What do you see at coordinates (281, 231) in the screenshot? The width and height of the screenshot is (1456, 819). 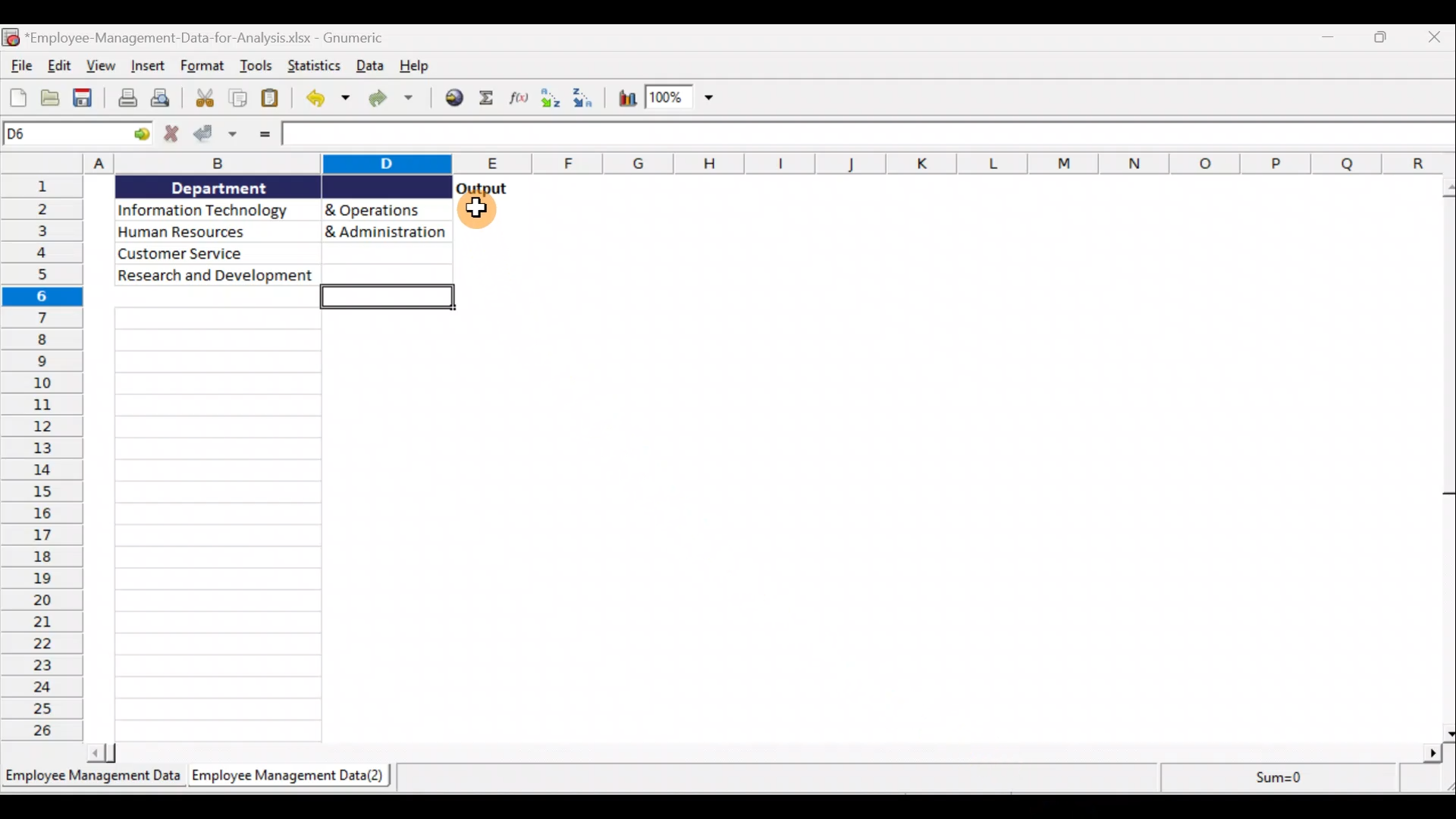 I see `Data` at bounding box center [281, 231].